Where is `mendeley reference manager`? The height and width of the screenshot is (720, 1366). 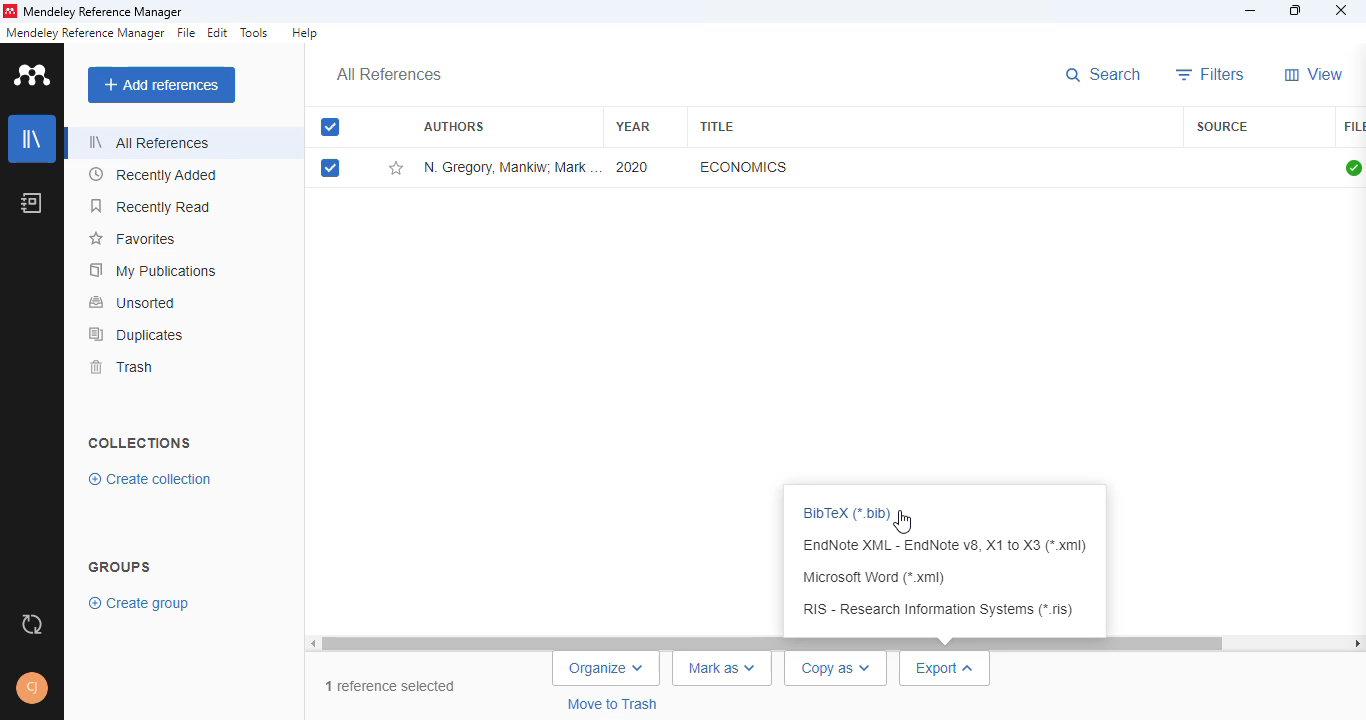 mendeley reference manager is located at coordinates (103, 11).